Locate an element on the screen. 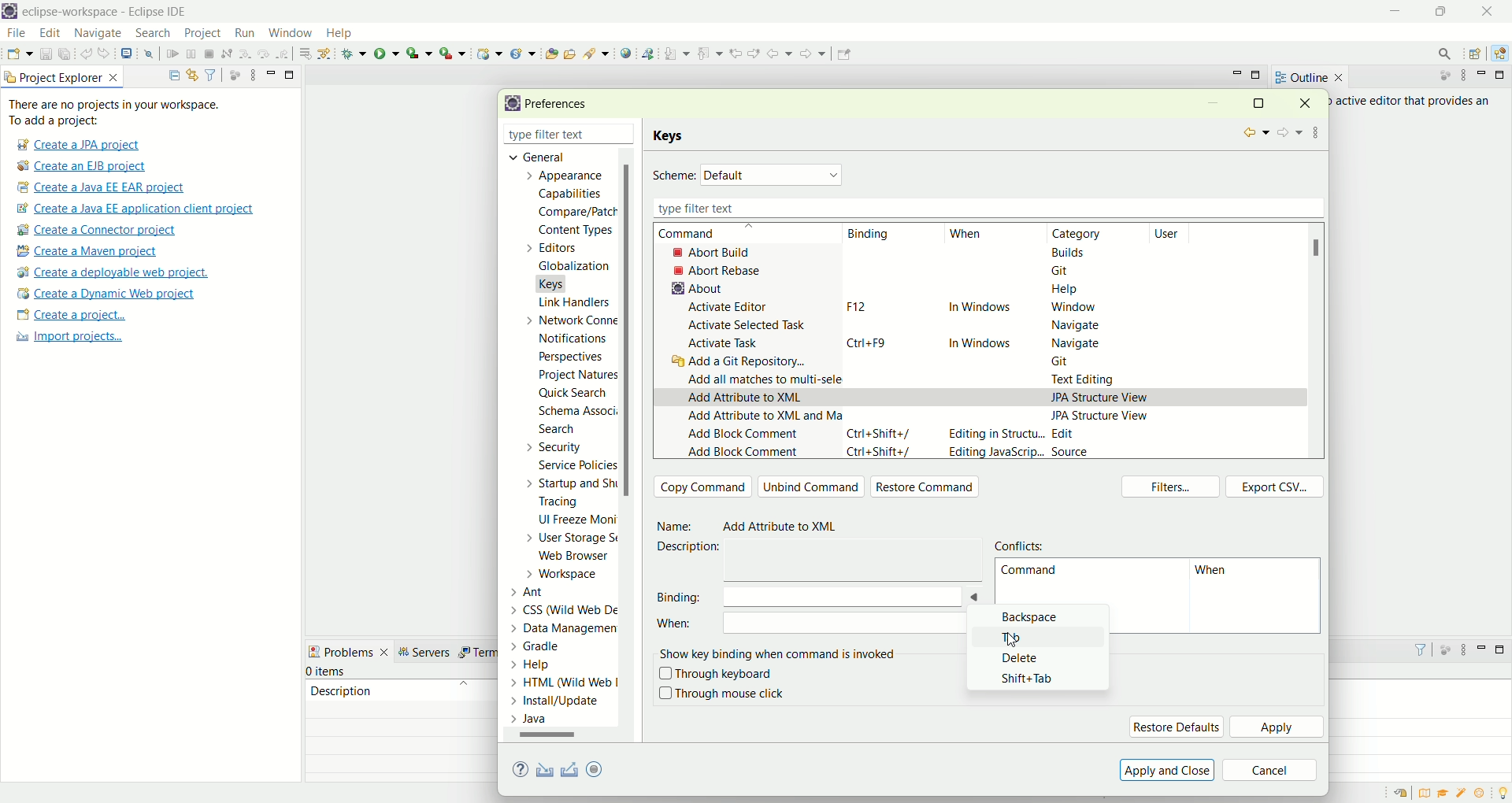 Image resolution: width=1512 pixels, height=803 pixels. use step filters is located at coordinates (325, 53).